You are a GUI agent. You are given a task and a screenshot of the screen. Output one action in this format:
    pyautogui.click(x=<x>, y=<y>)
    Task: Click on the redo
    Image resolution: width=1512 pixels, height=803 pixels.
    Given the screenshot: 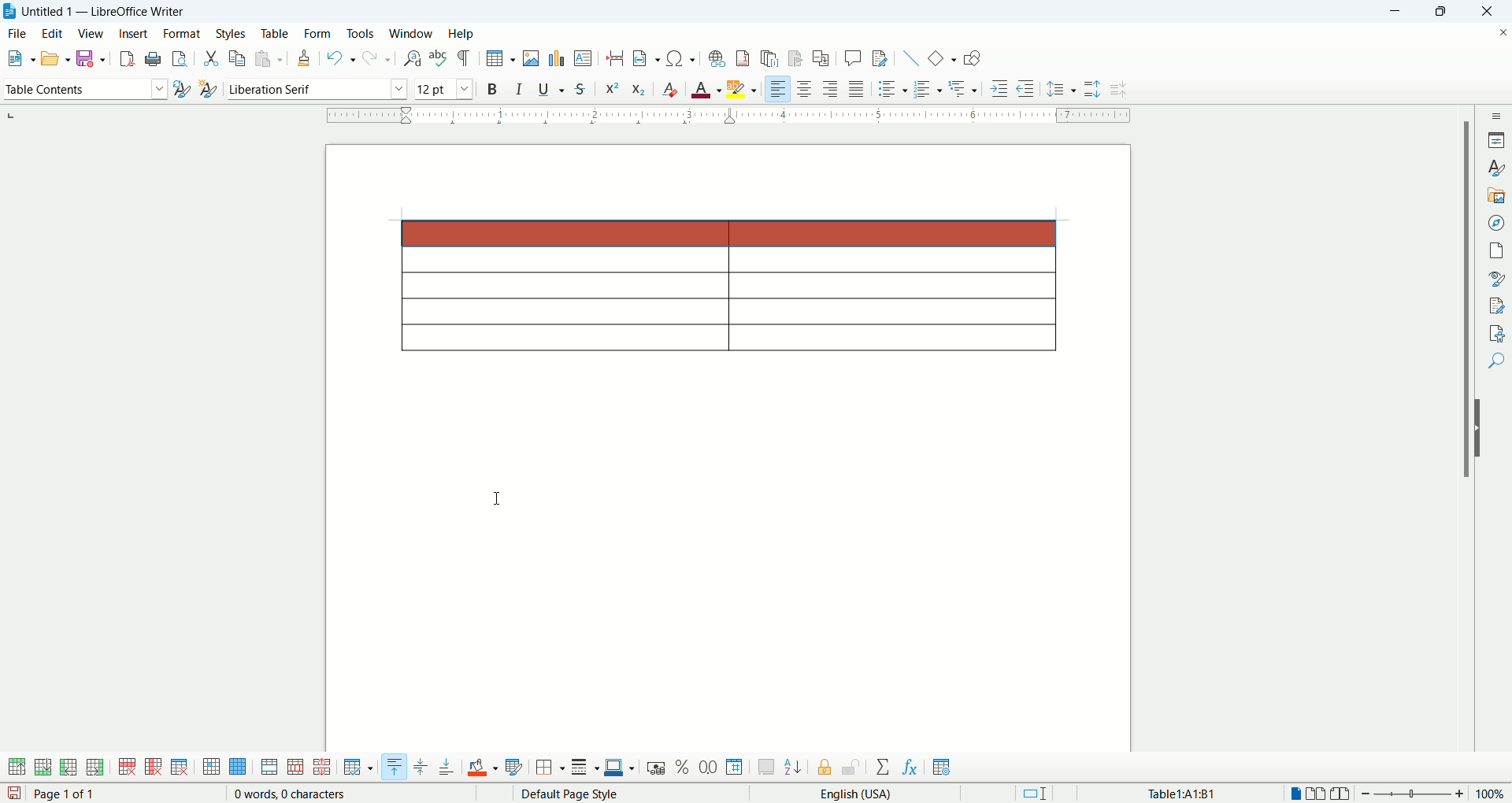 What is the action you would take?
    pyautogui.click(x=378, y=57)
    